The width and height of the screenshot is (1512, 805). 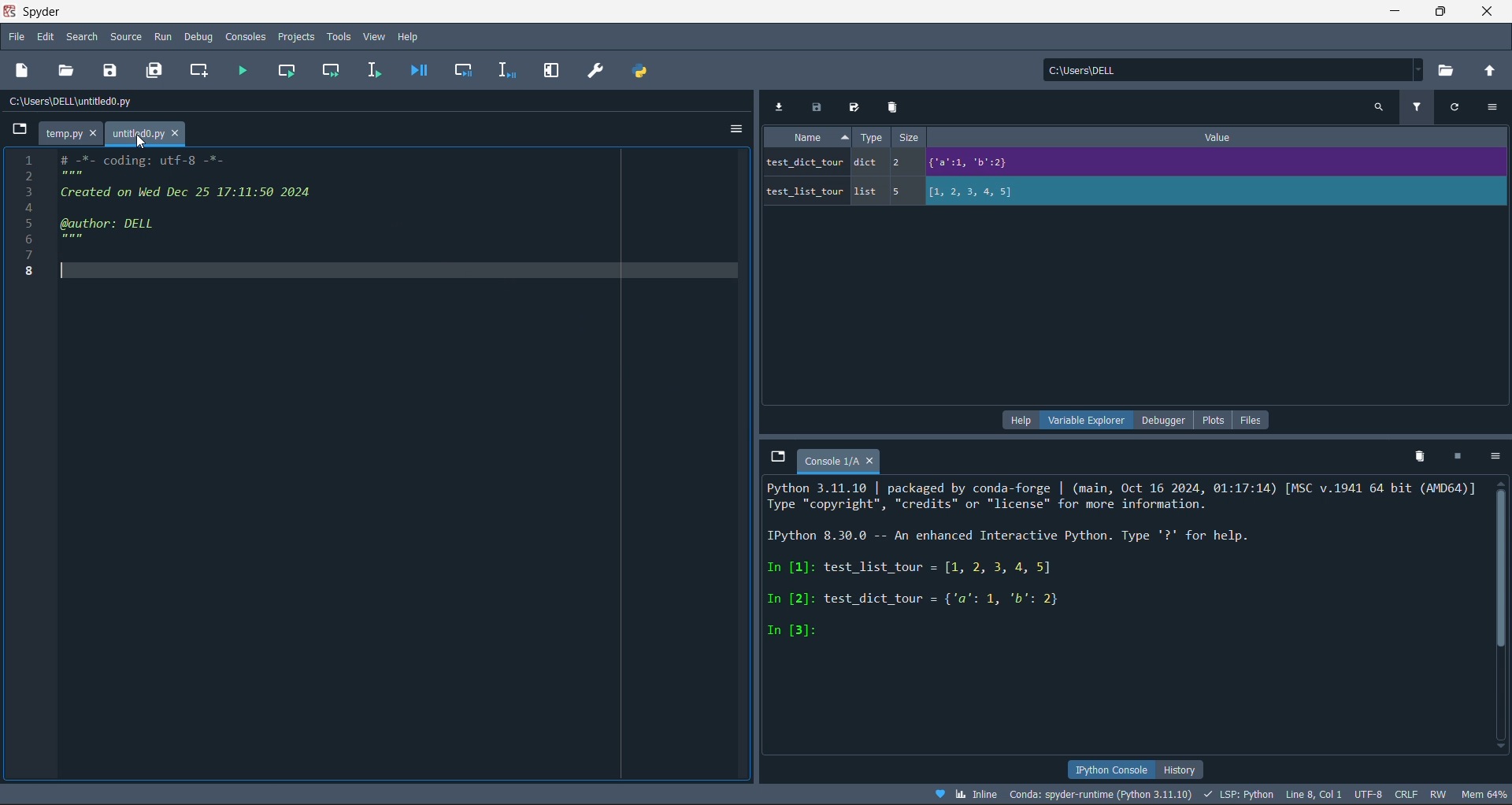 What do you see at coordinates (69, 69) in the screenshot?
I see `open file` at bounding box center [69, 69].